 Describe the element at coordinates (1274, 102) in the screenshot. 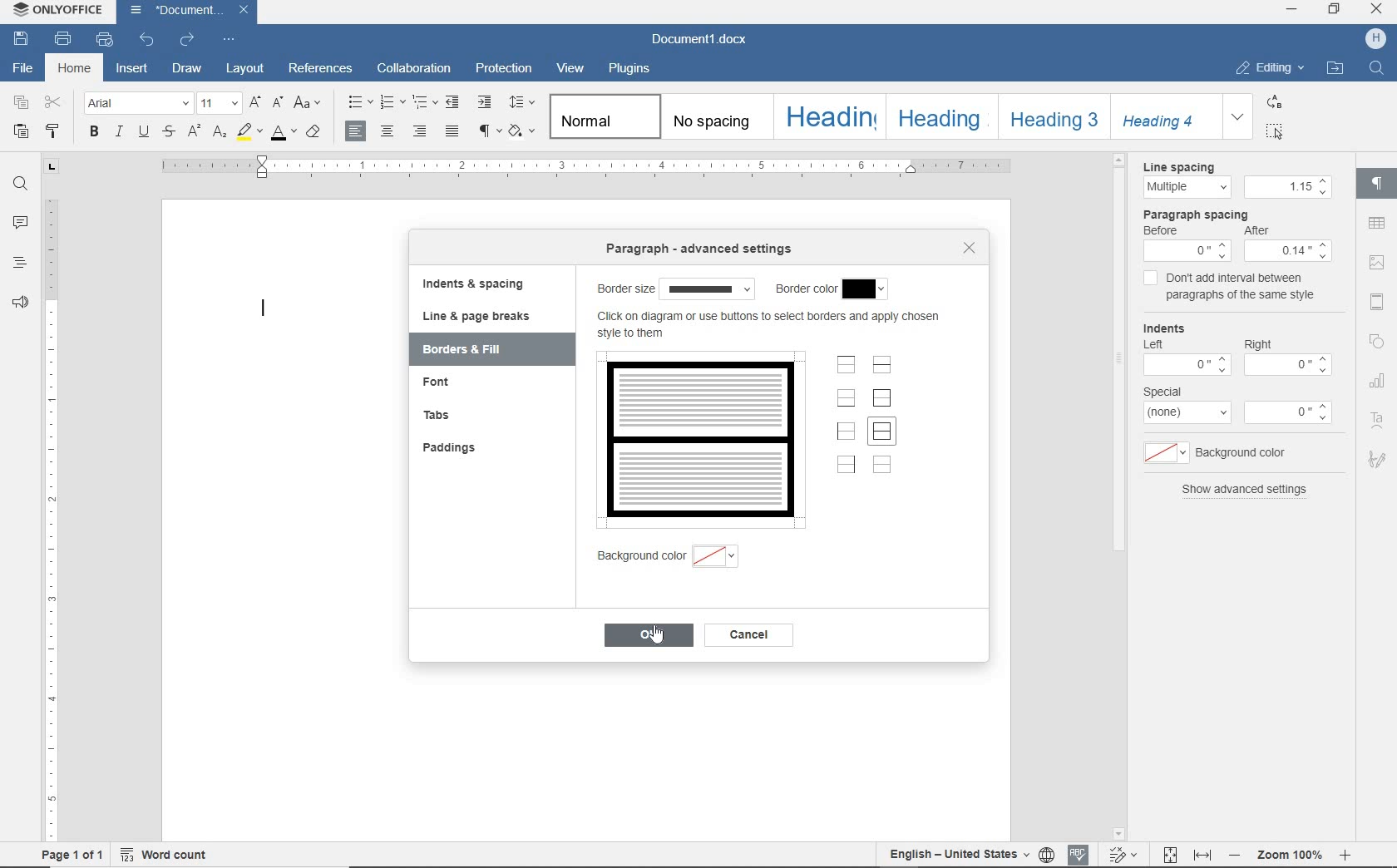

I see `REPLACE` at that location.